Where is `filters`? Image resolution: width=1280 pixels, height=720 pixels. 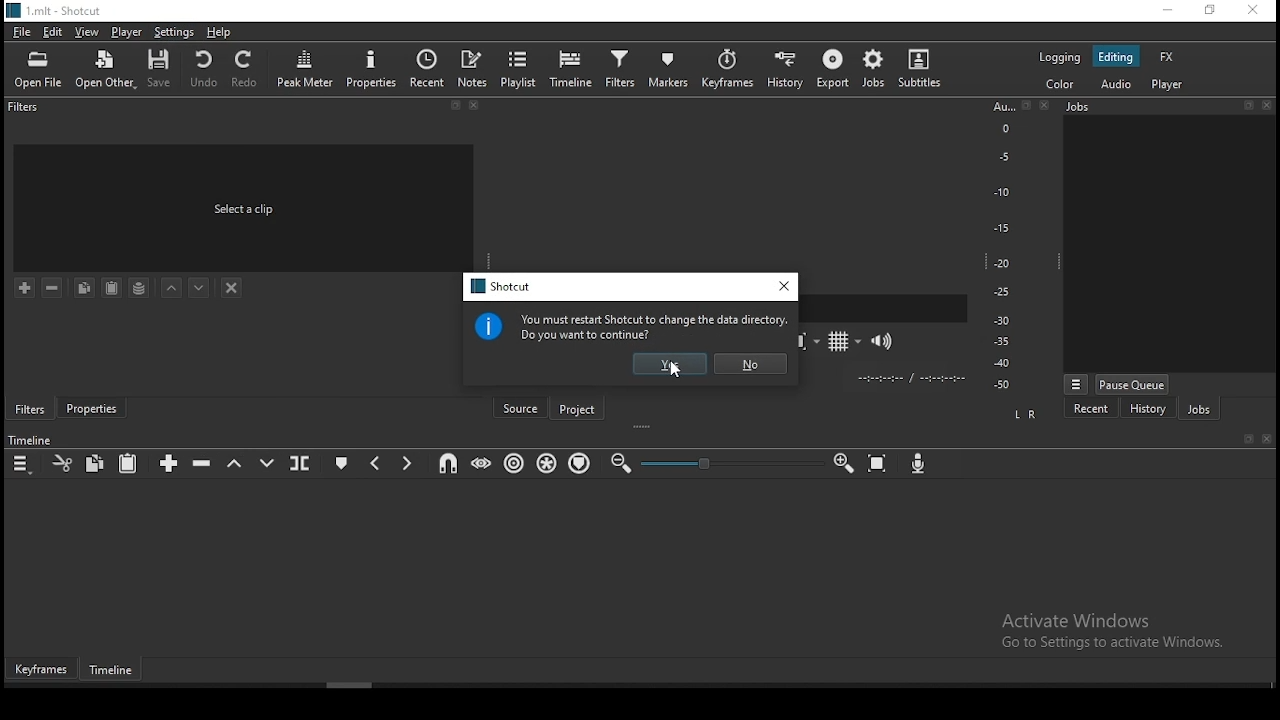
filters is located at coordinates (25, 110).